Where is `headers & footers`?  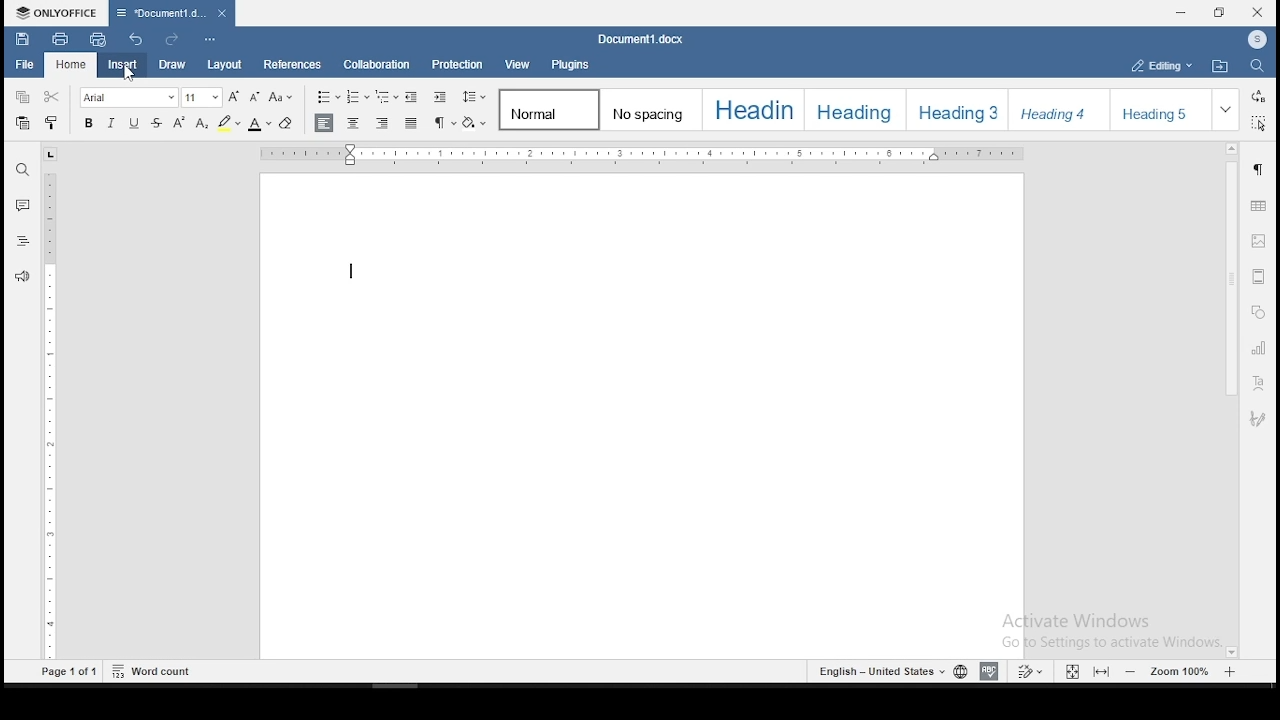
headers & footers is located at coordinates (1258, 276).